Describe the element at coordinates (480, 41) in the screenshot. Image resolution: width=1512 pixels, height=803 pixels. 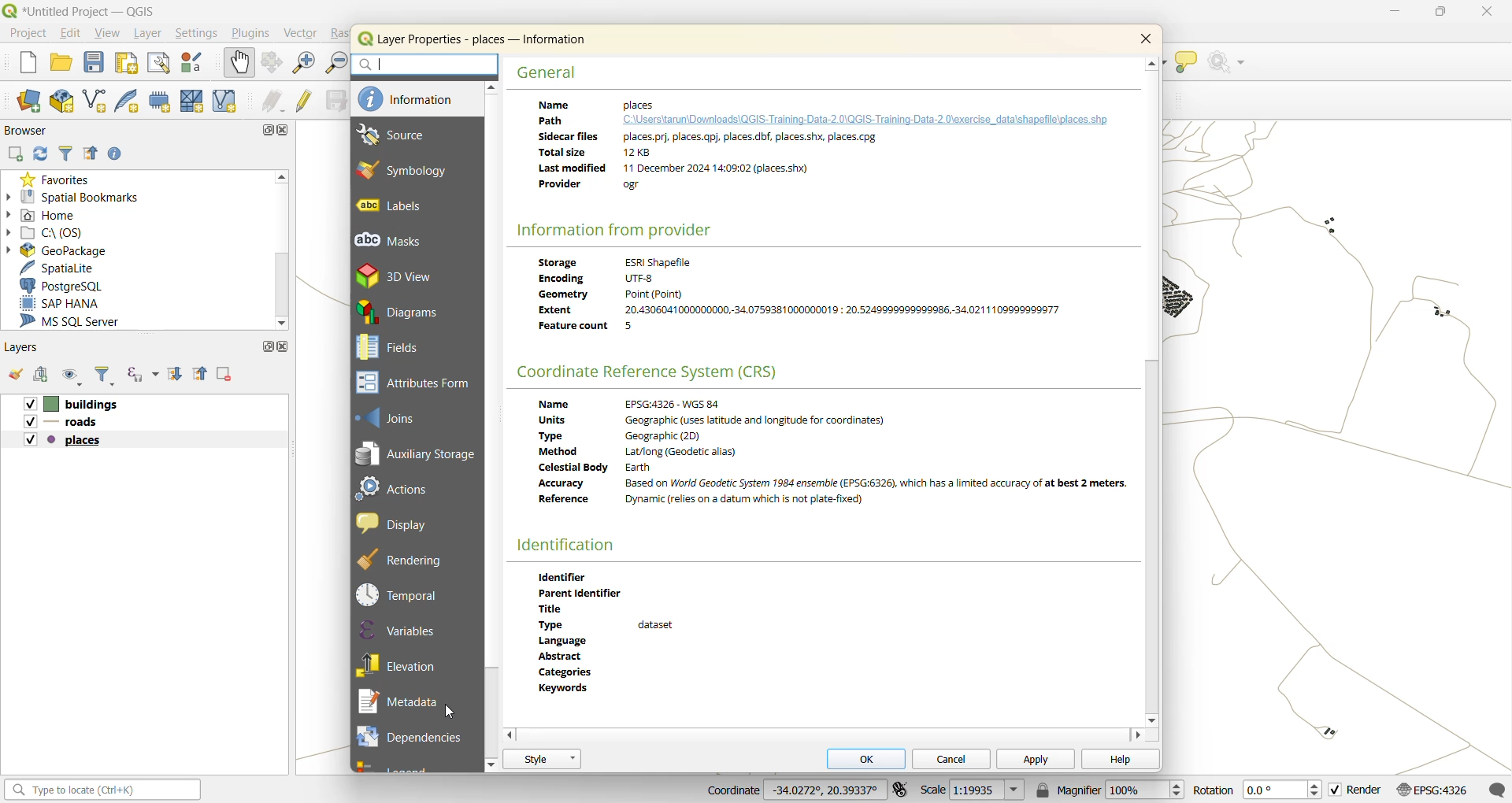
I see `layer properties` at that location.